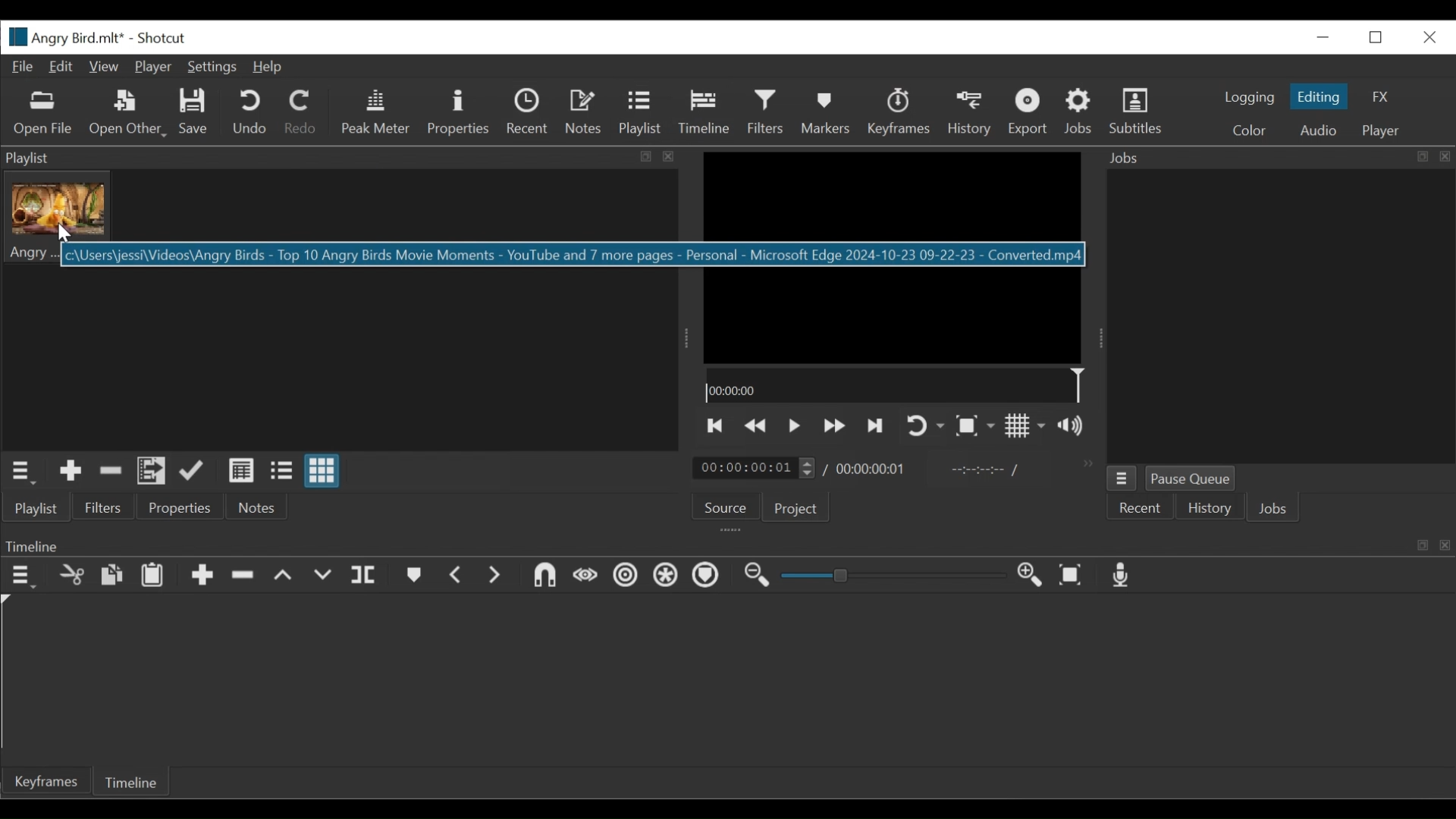 This screenshot has height=819, width=1456. Describe the element at coordinates (24, 576) in the screenshot. I see `Timeline menu` at that location.